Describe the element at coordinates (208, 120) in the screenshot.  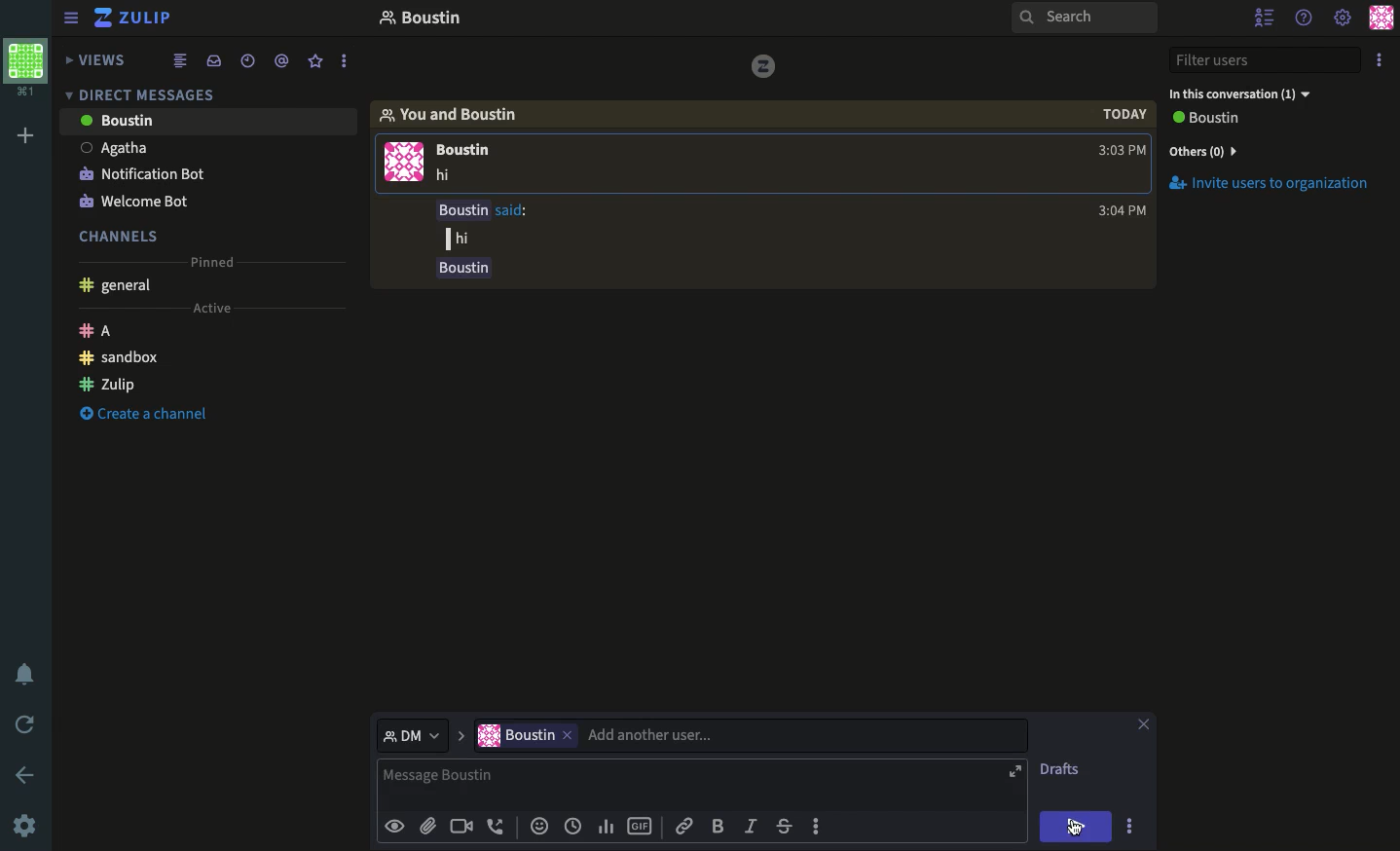
I see `User` at that location.